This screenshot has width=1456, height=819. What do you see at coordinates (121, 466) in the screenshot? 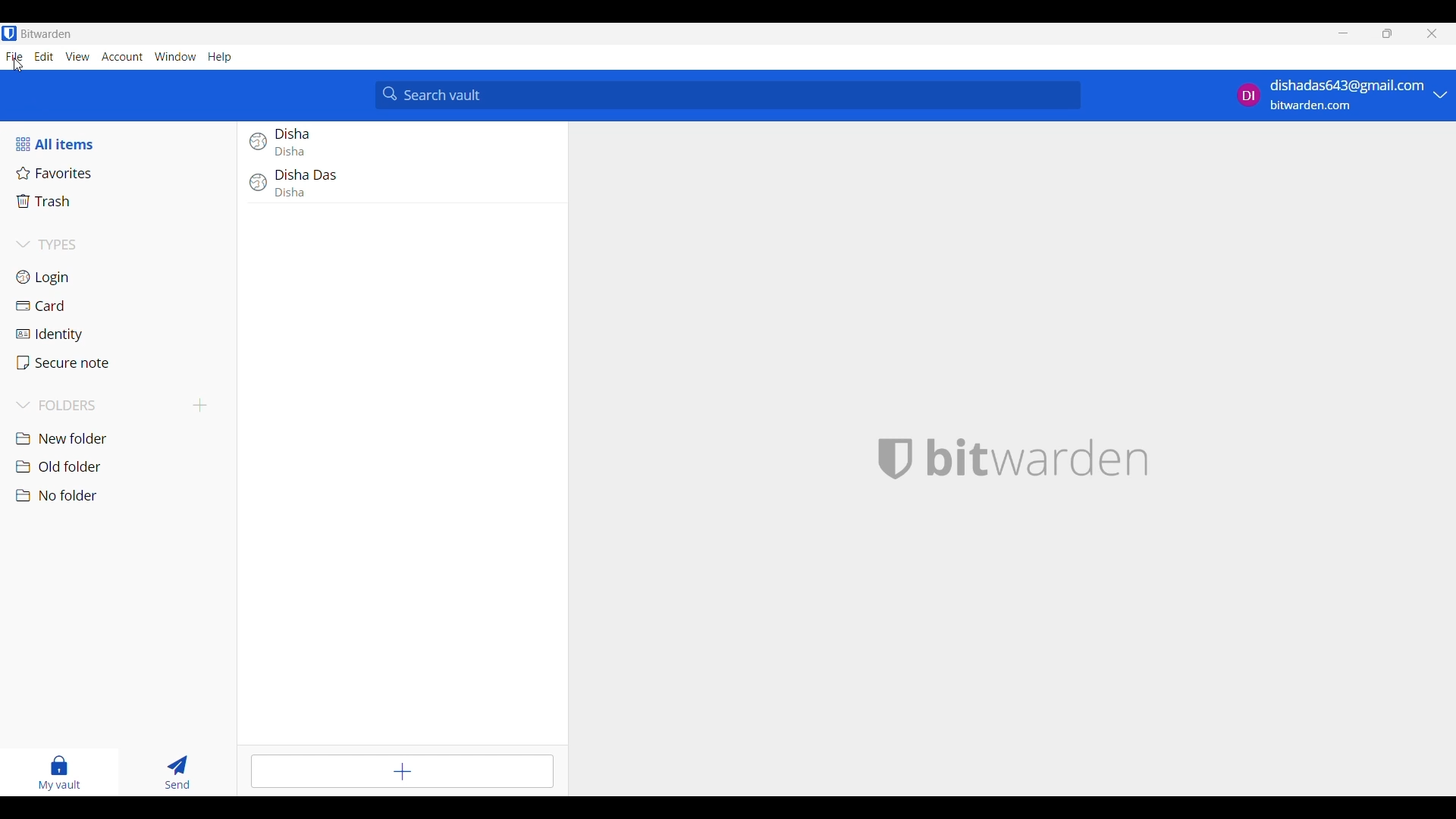
I see `Old folder` at bounding box center [121, 466].